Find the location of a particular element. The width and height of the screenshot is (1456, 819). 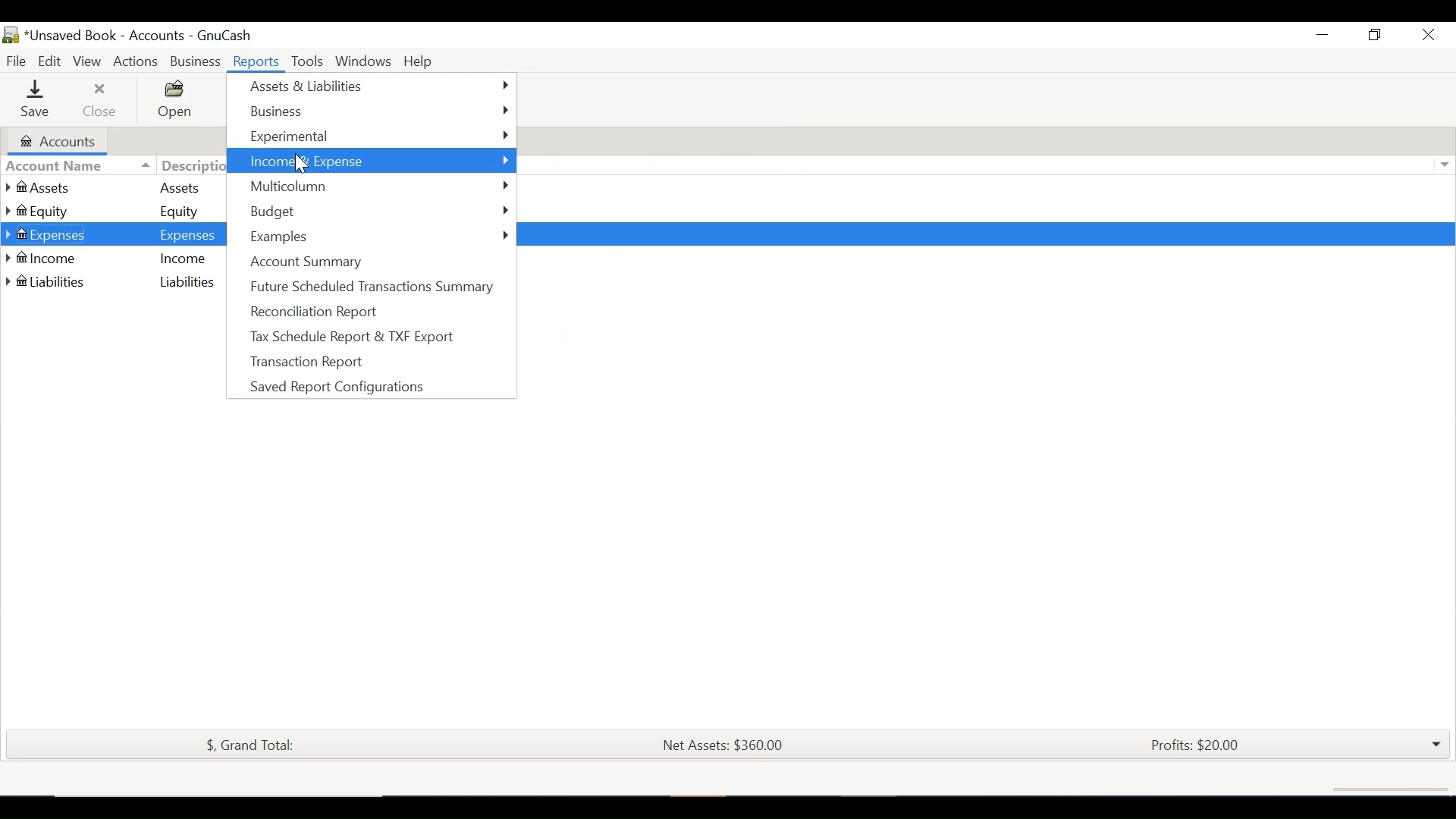

Business is located at coordinates (372, 111).